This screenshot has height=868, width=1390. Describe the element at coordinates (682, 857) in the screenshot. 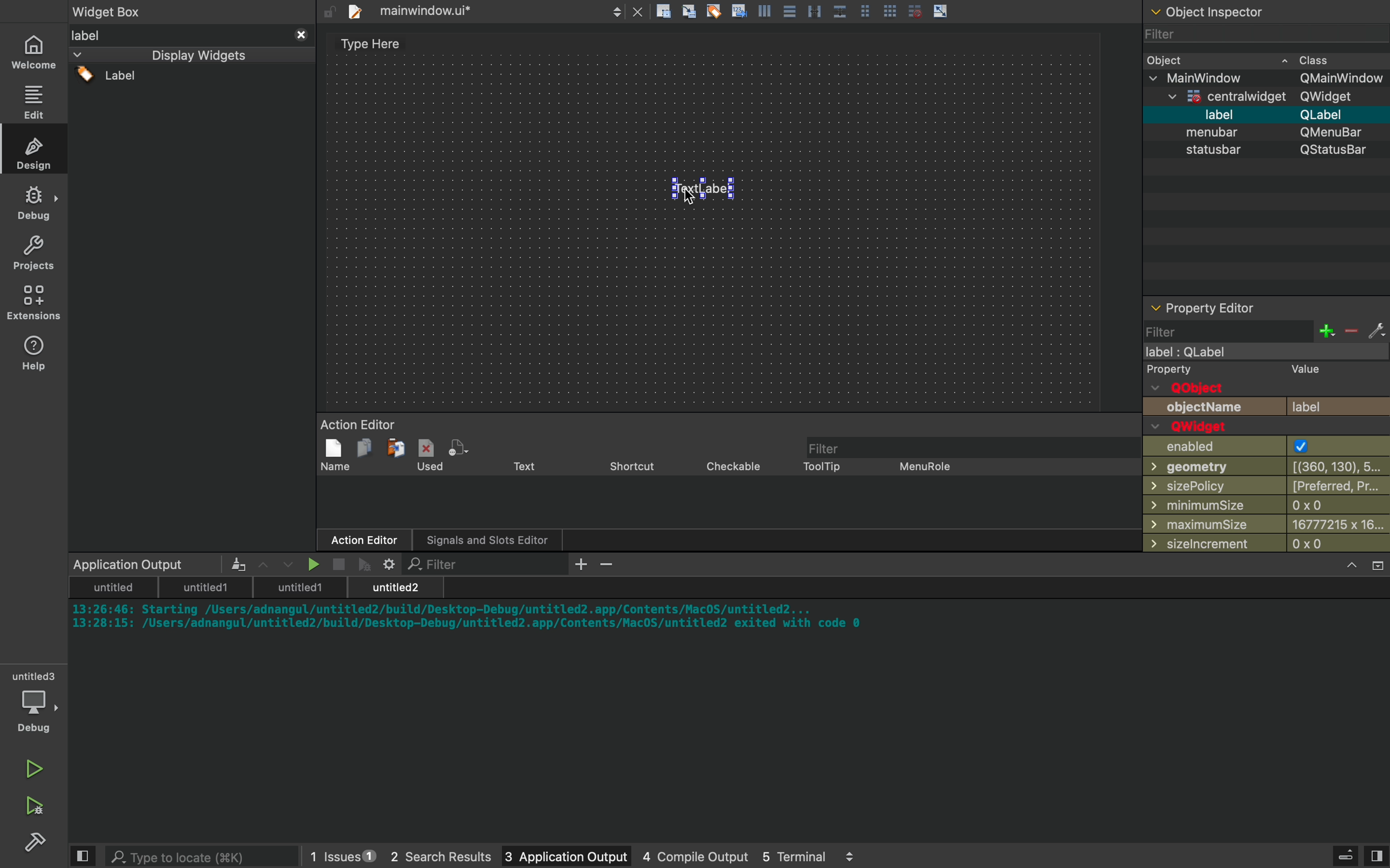

I see `4 console output` at that location.